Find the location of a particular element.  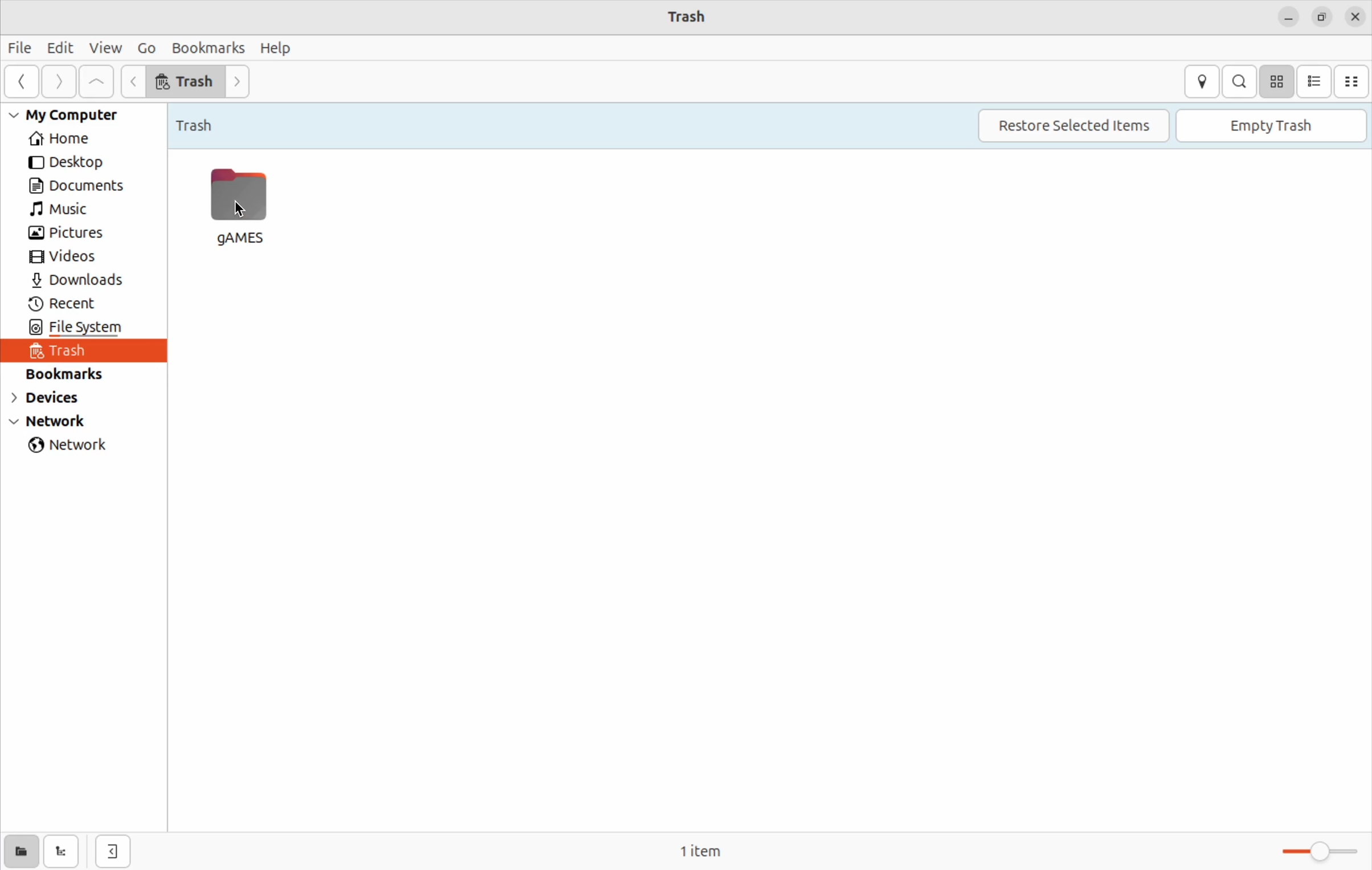

home is located at coordinates (79, 139).